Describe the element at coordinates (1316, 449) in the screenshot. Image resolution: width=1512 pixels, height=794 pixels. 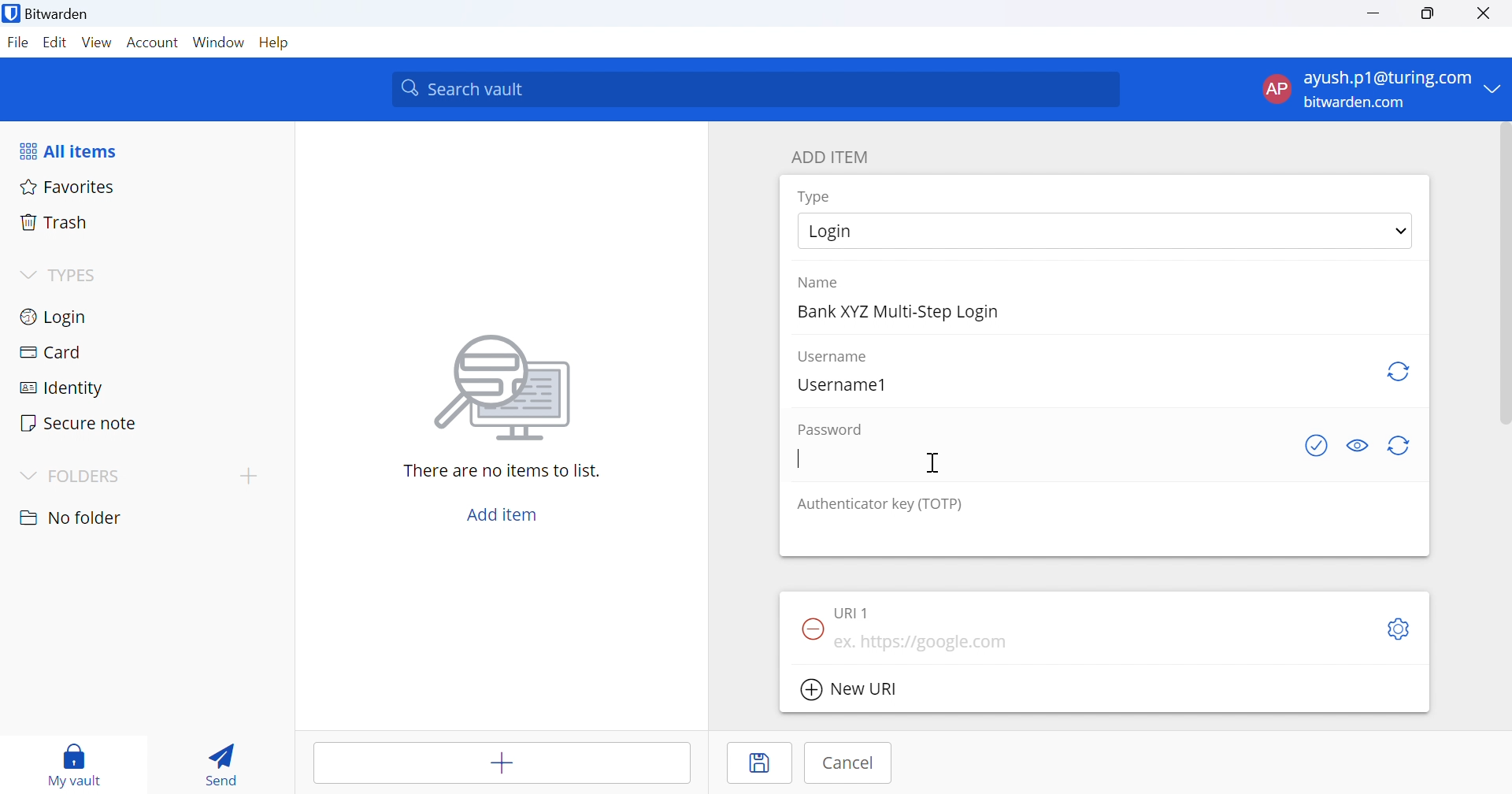
I see `Check if password has been exposed` at that location.